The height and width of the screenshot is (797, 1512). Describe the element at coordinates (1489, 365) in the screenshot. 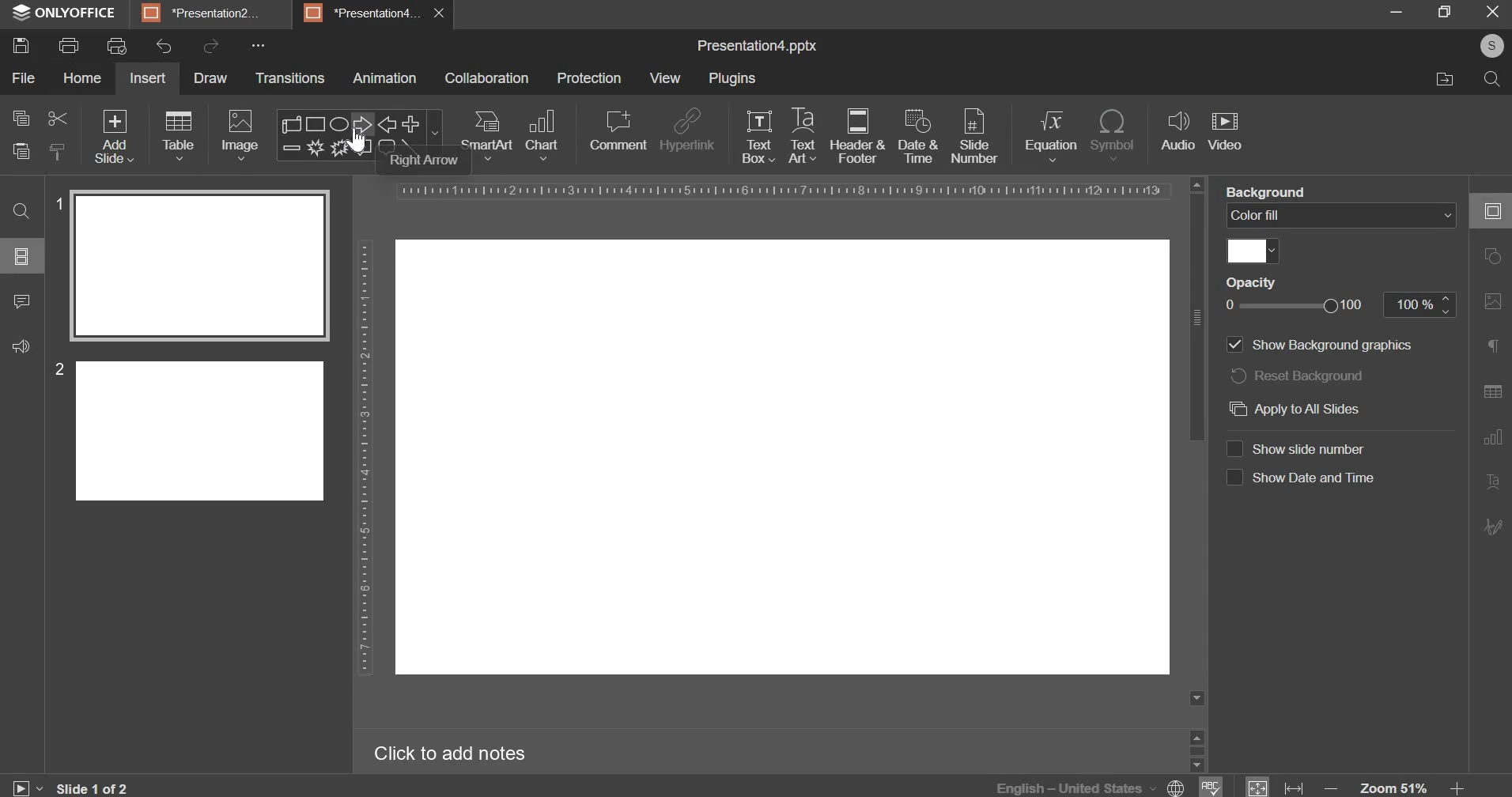

I see `right side bar` at that location.